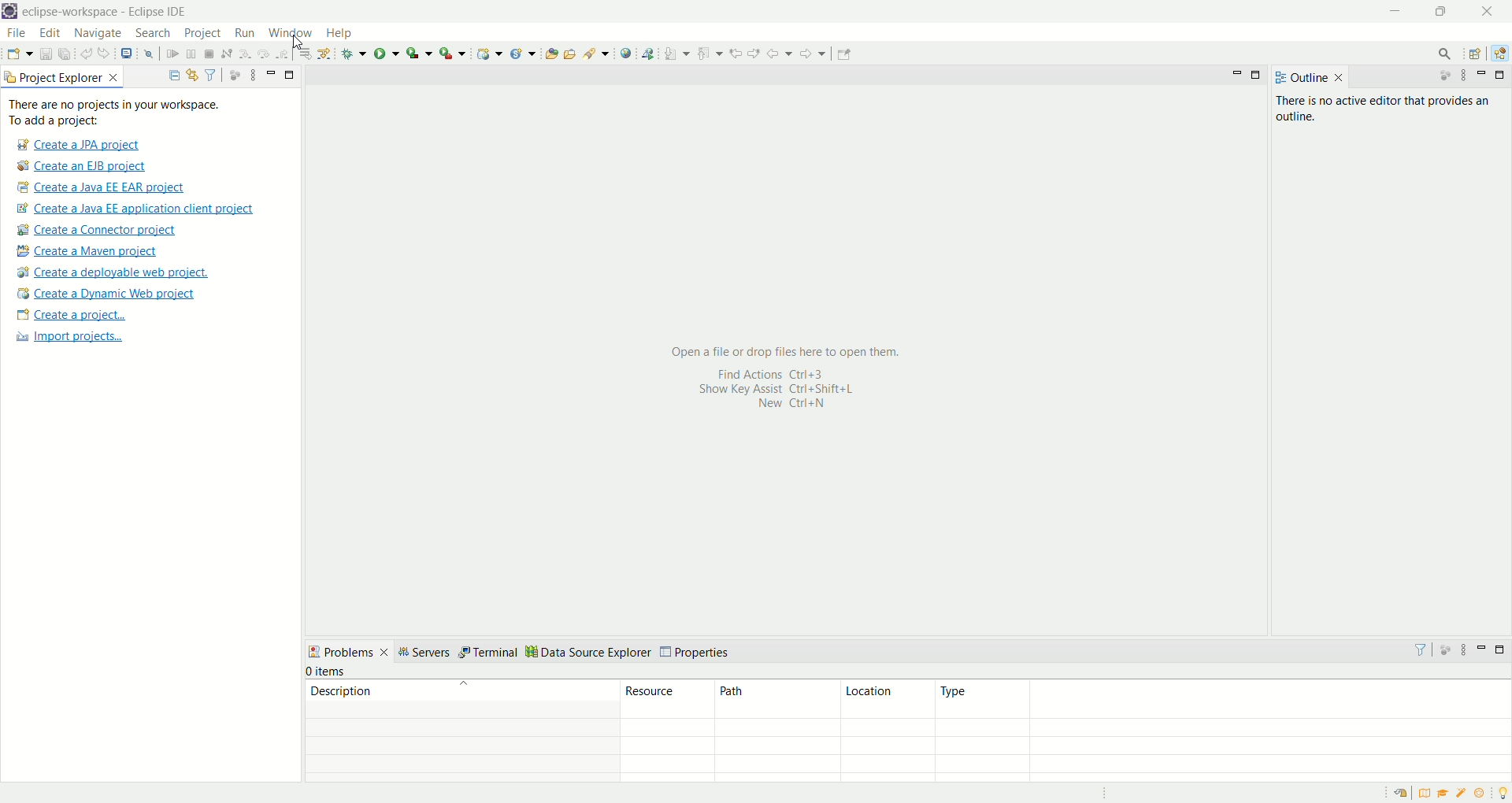 The image size is (1512, 803). What do you see at coordinates (48, 34) in the screenshot?
I see `edit` at bounding box center [48, 34].